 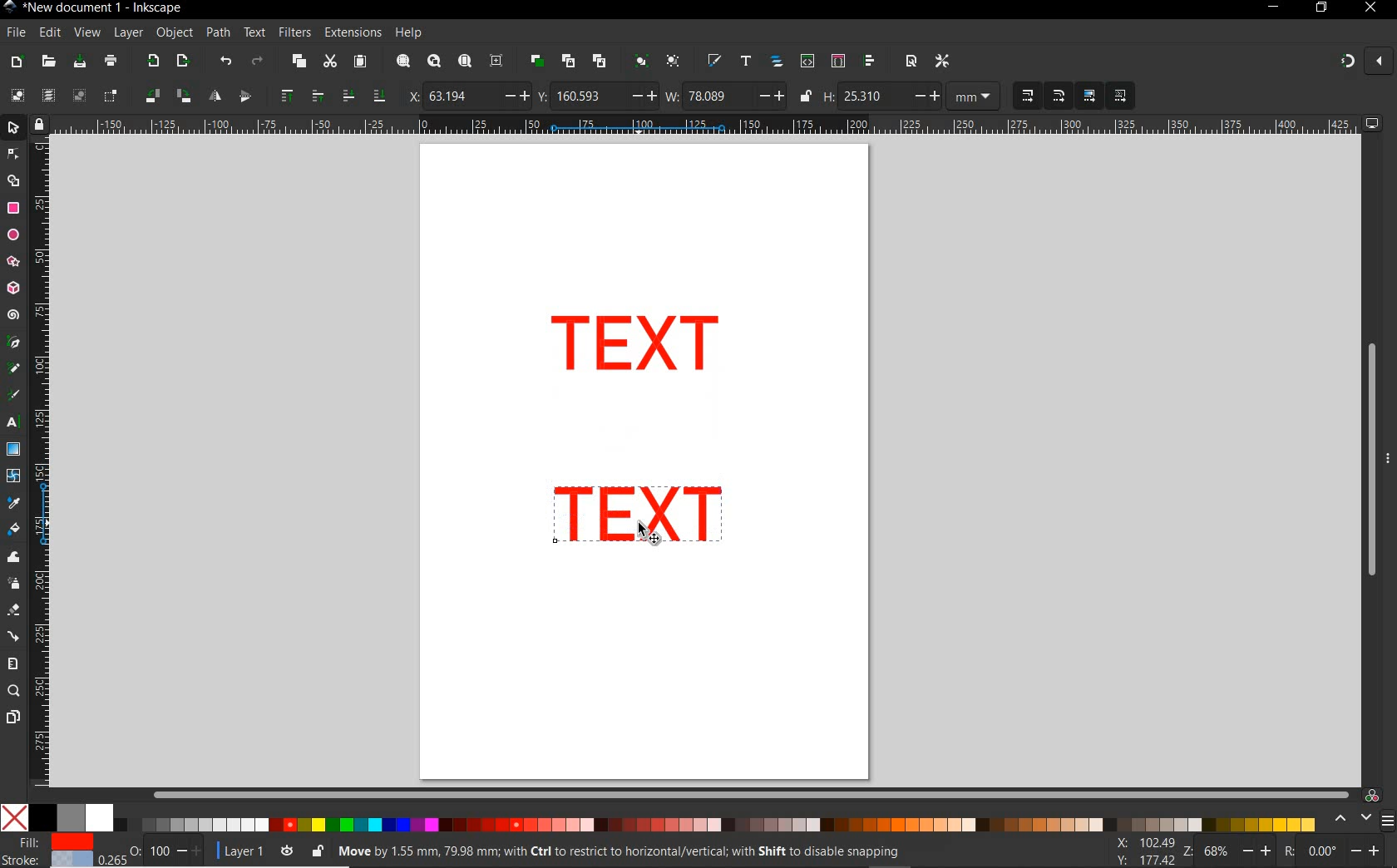 I want to click on ellipse tool, so click(x=12, y=234).